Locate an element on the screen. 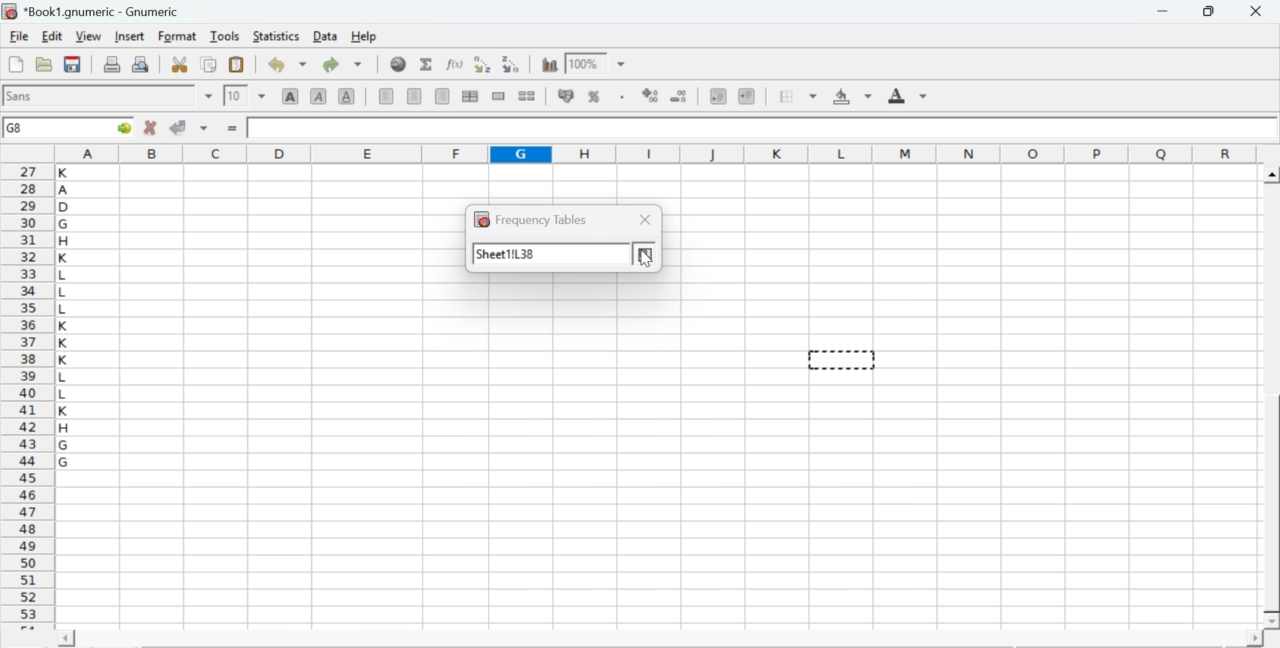 This screenshot has height=648, width=1280. format selection as accounting is located at coordinates (566, 95).